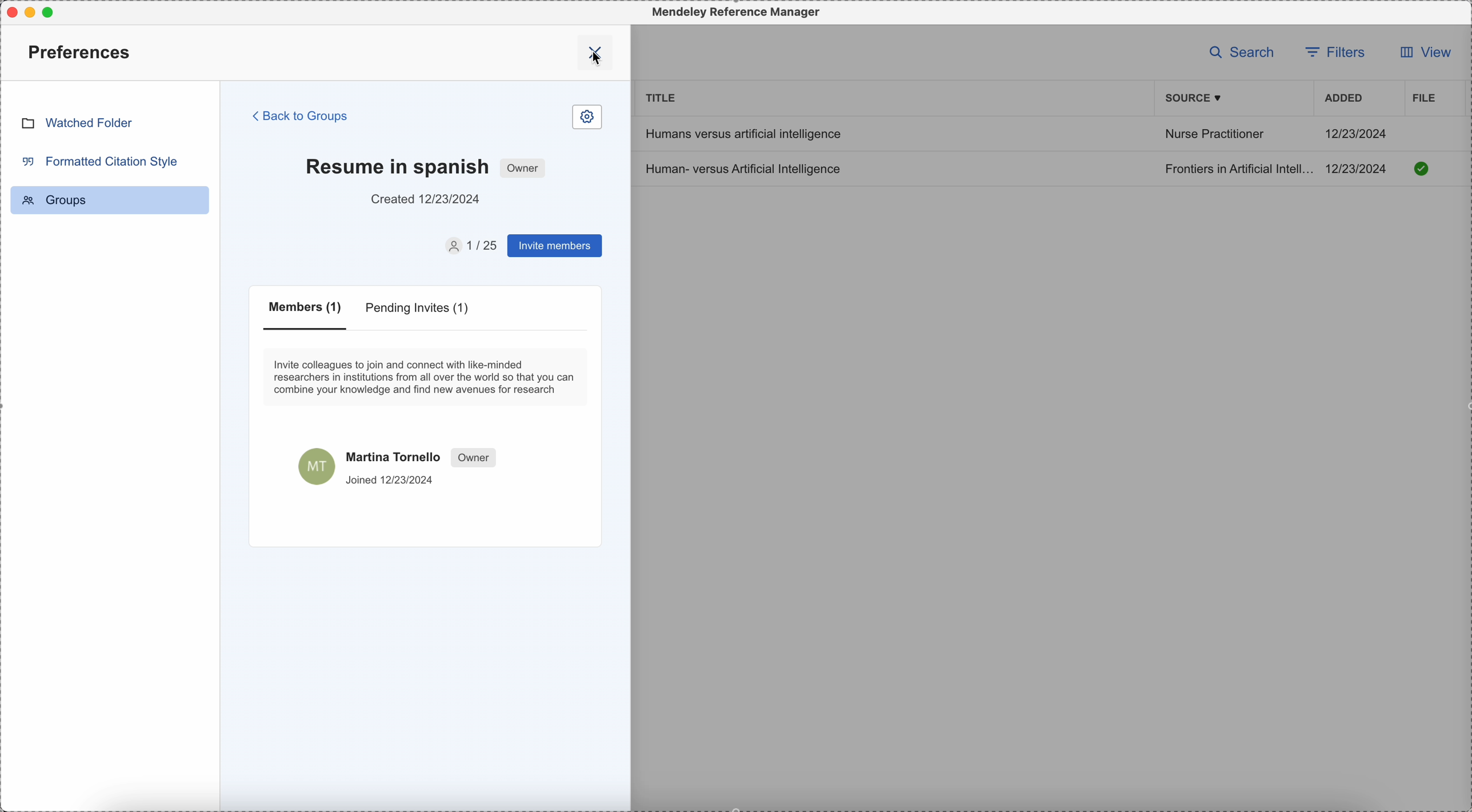 The height and width of the screenshot is (812, 1472). I want to click on Human- versus Artificial Intelligence, so click(746, 168).